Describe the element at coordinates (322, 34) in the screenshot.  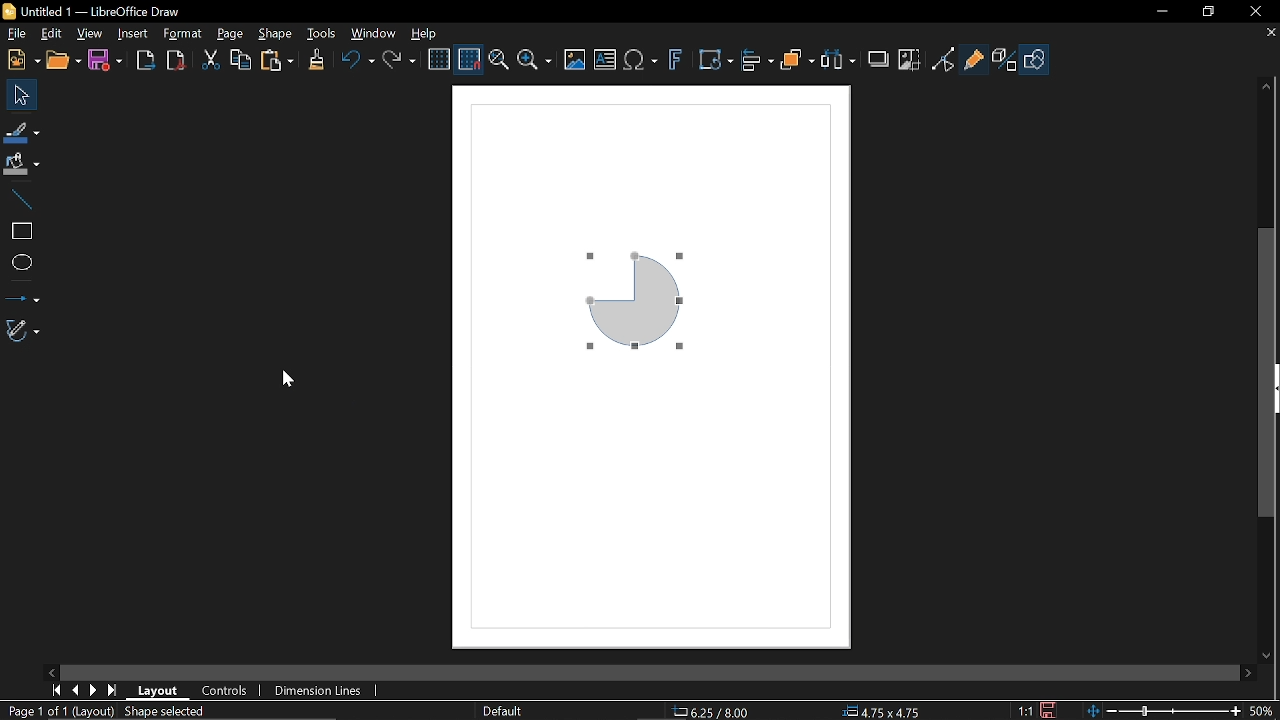
I see `Tools` at that location.